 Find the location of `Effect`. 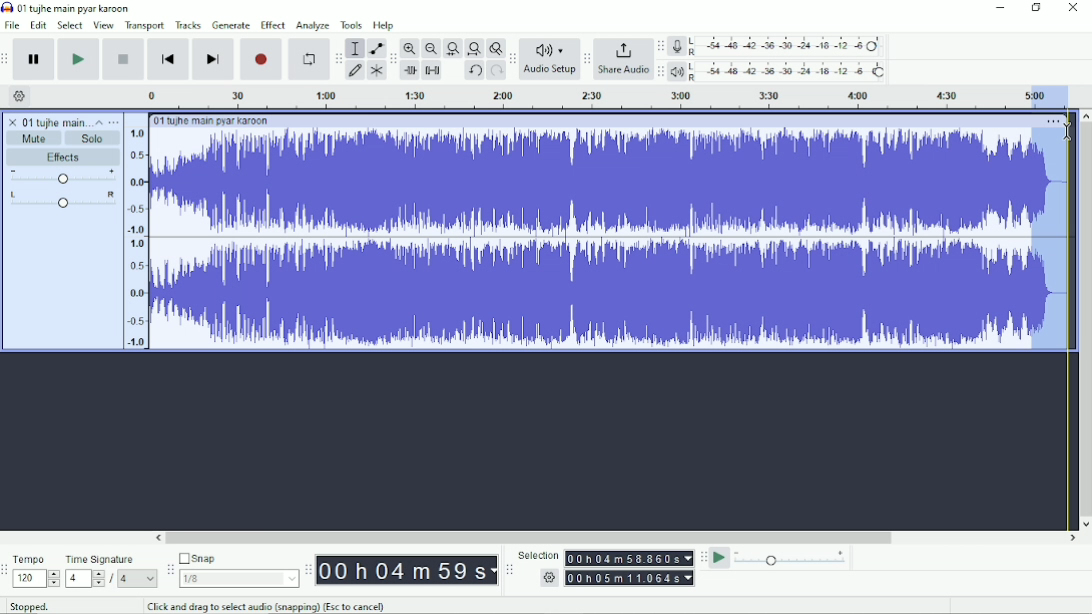

Effect is located at coordinates (274, 25).